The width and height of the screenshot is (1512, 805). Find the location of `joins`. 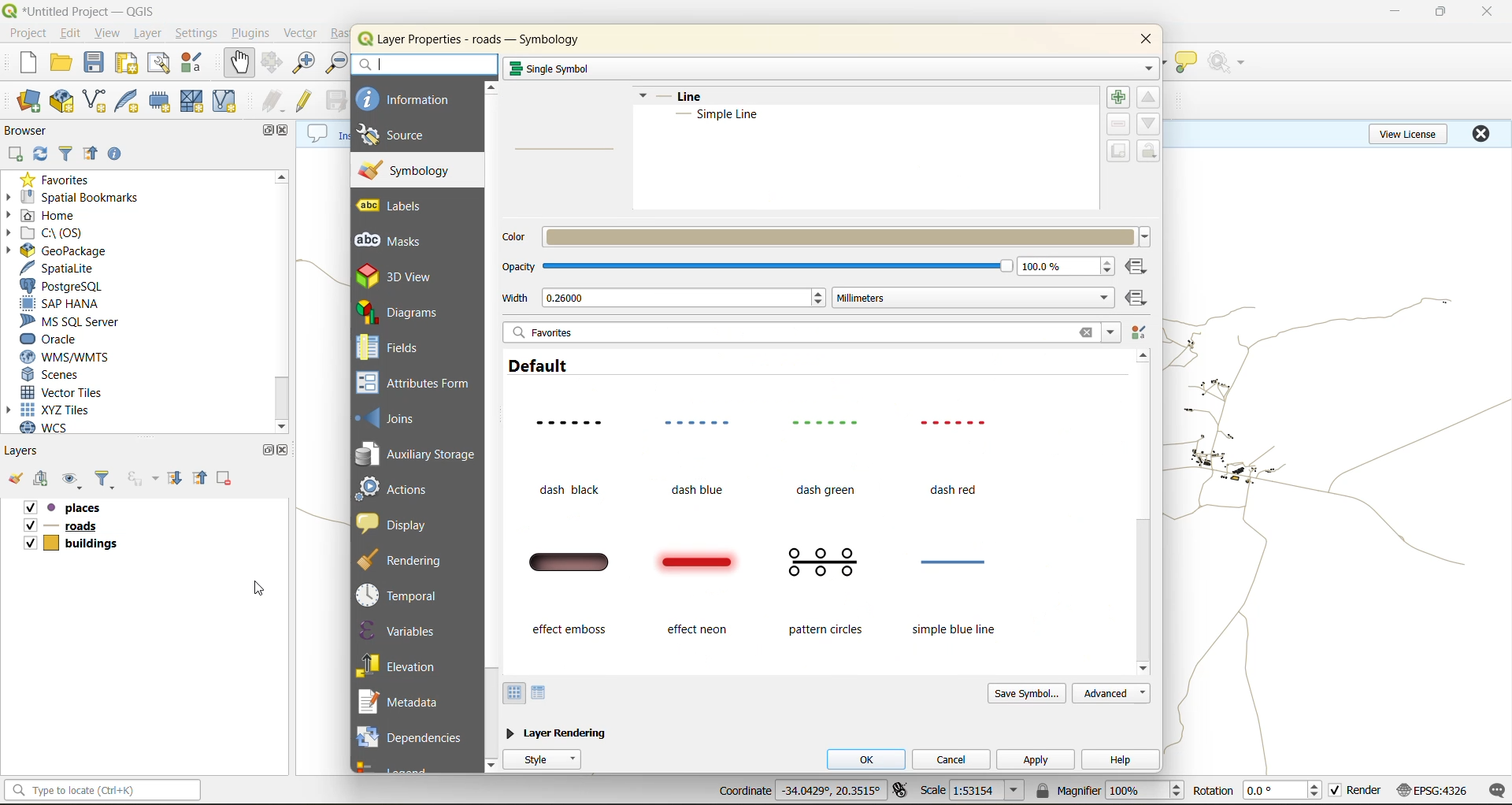

joins is located at coordinates (395, 418).